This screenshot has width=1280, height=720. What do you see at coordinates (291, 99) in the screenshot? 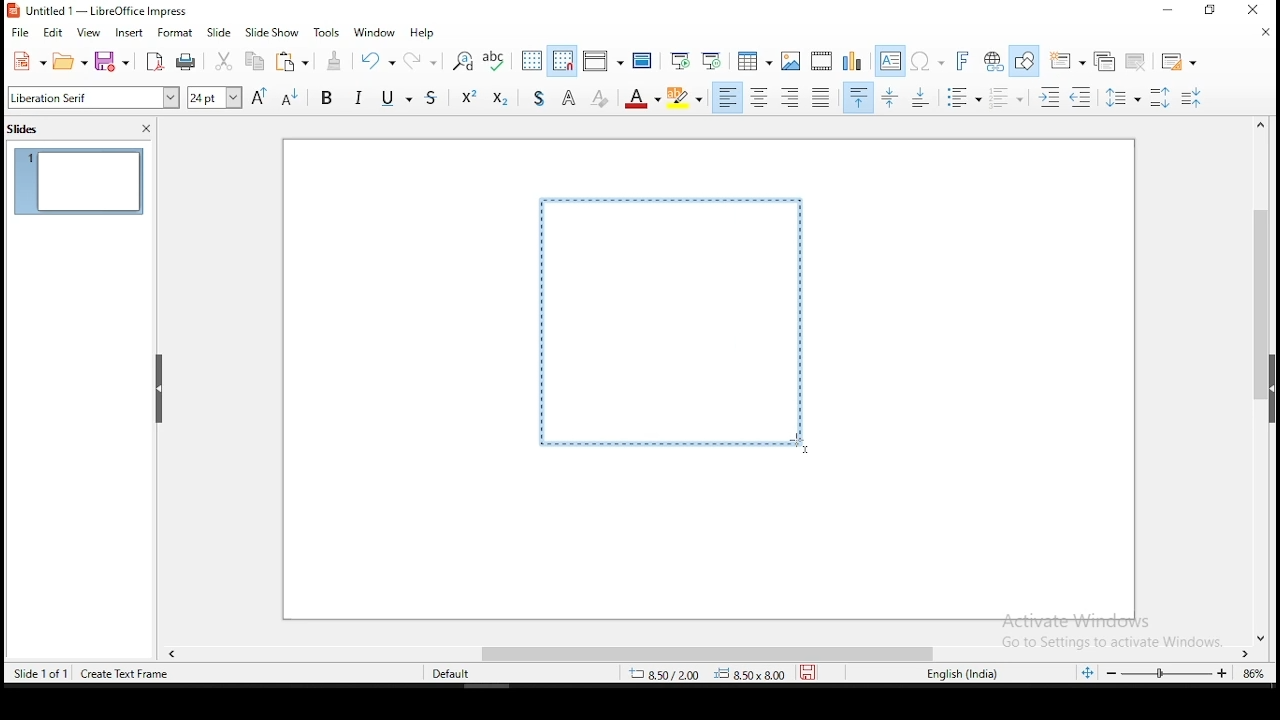
I see `decrease font size` at bounding box center [291, 99].